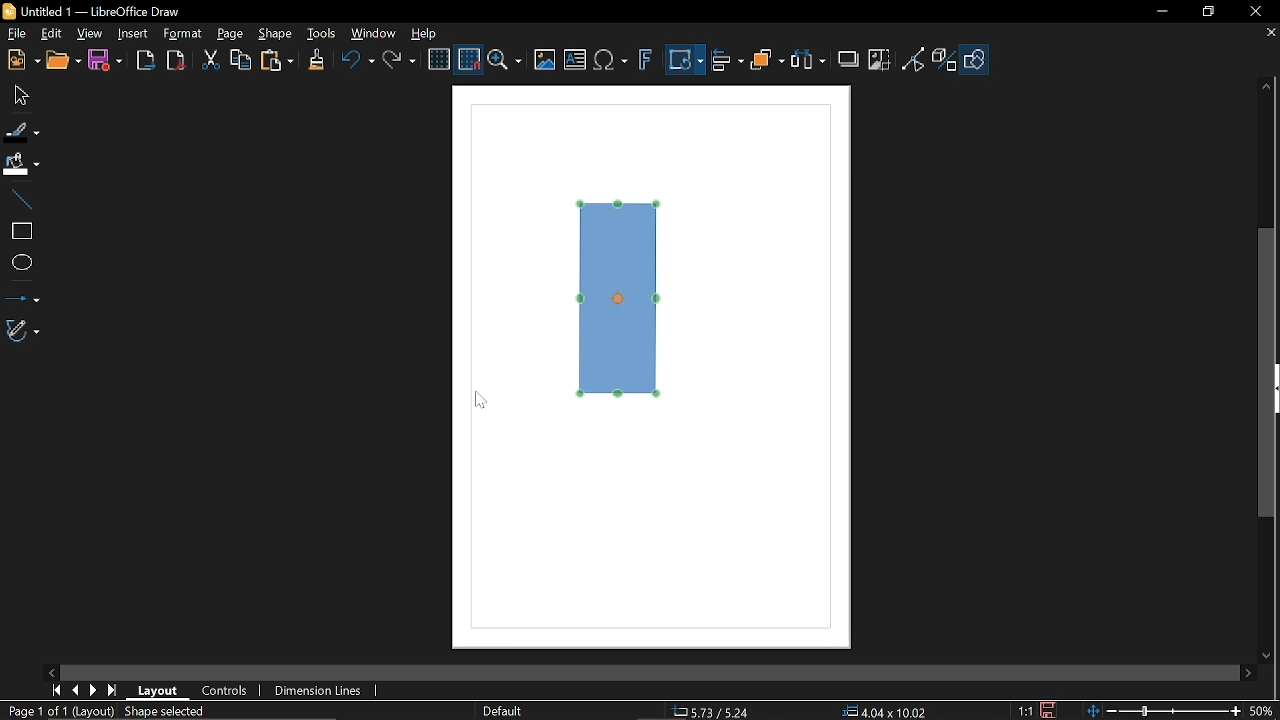  Describe the element at coordinates (439, 61) in the screenshot. I see `Display grid` at that location.